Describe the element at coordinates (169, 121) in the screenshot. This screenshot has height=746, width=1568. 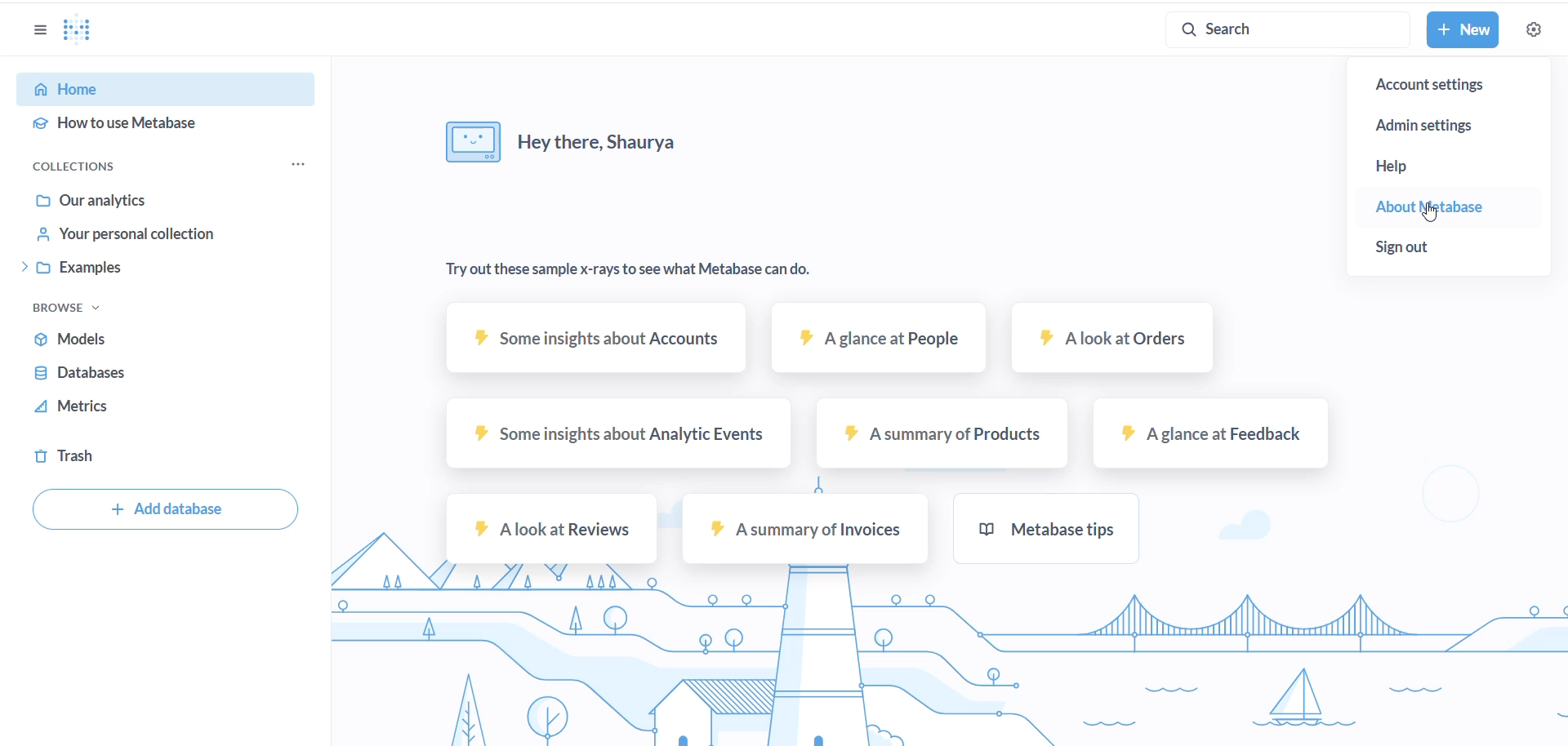
I see `how to use metabase` at that location.